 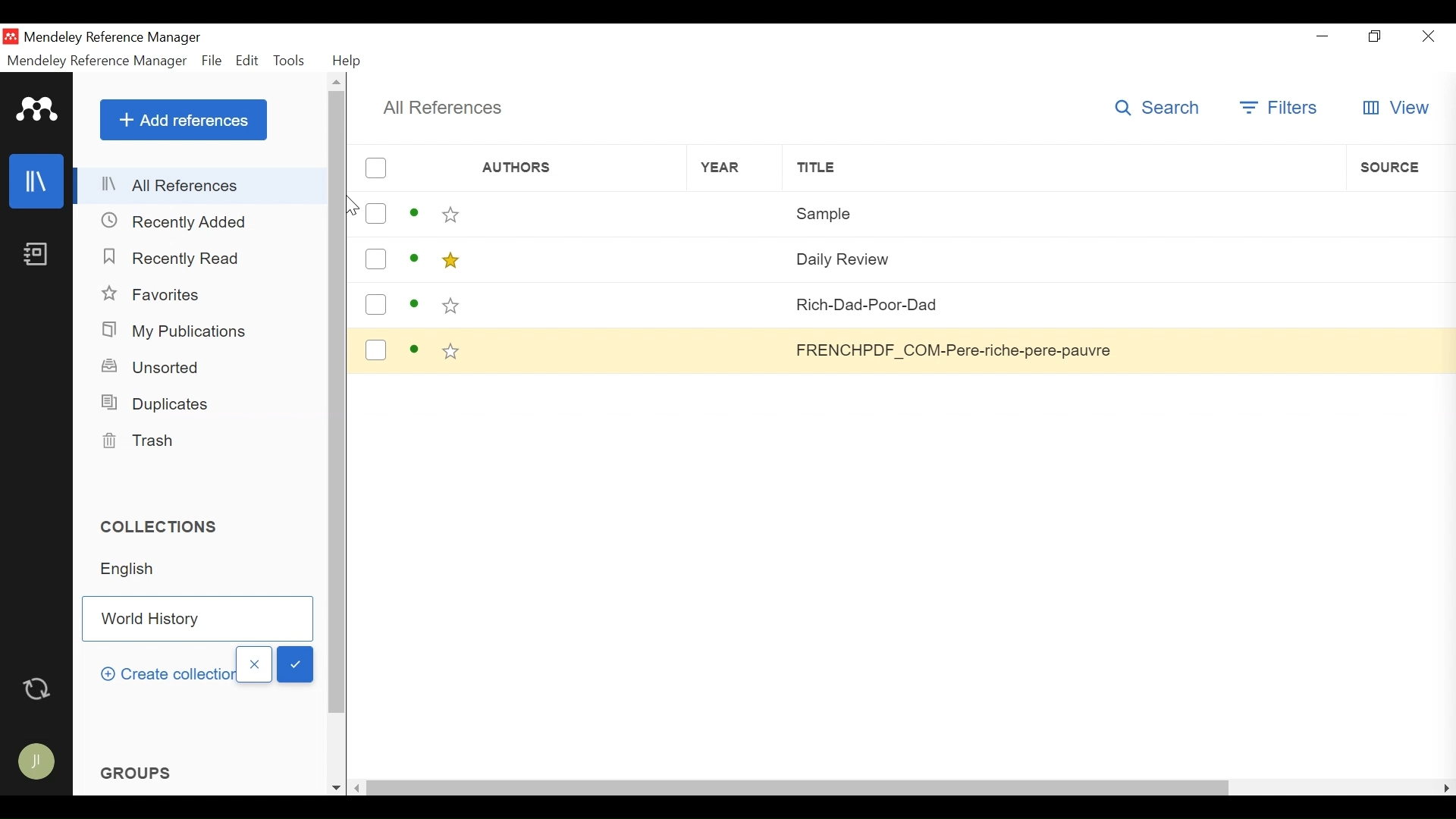 I want to click on Collection, so click(x=206, y=569).